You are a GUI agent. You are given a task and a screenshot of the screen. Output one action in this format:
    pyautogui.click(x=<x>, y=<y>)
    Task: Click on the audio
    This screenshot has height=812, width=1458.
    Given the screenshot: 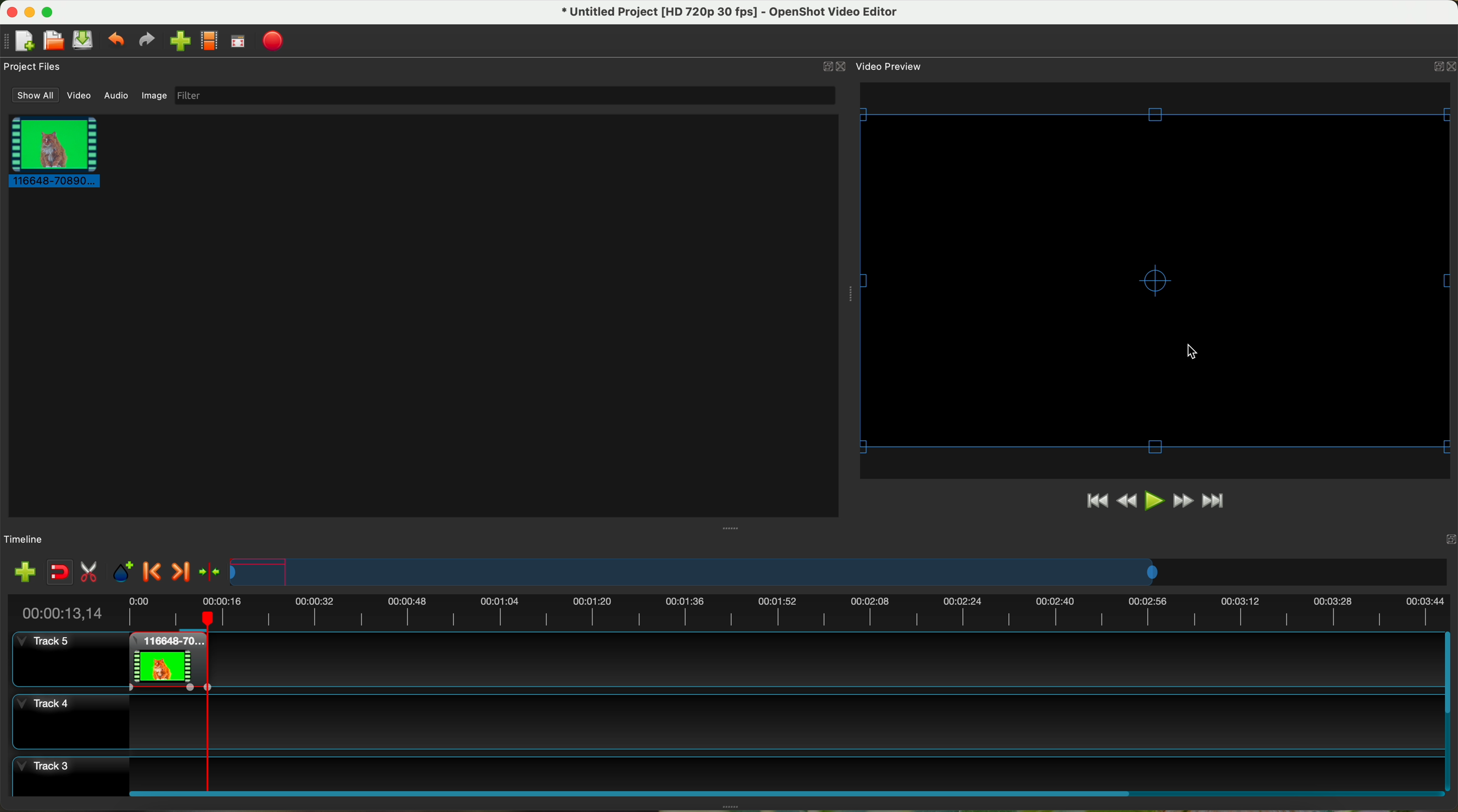 What is the action you would take?
    pyautogui.click(x=117, y=96)
    